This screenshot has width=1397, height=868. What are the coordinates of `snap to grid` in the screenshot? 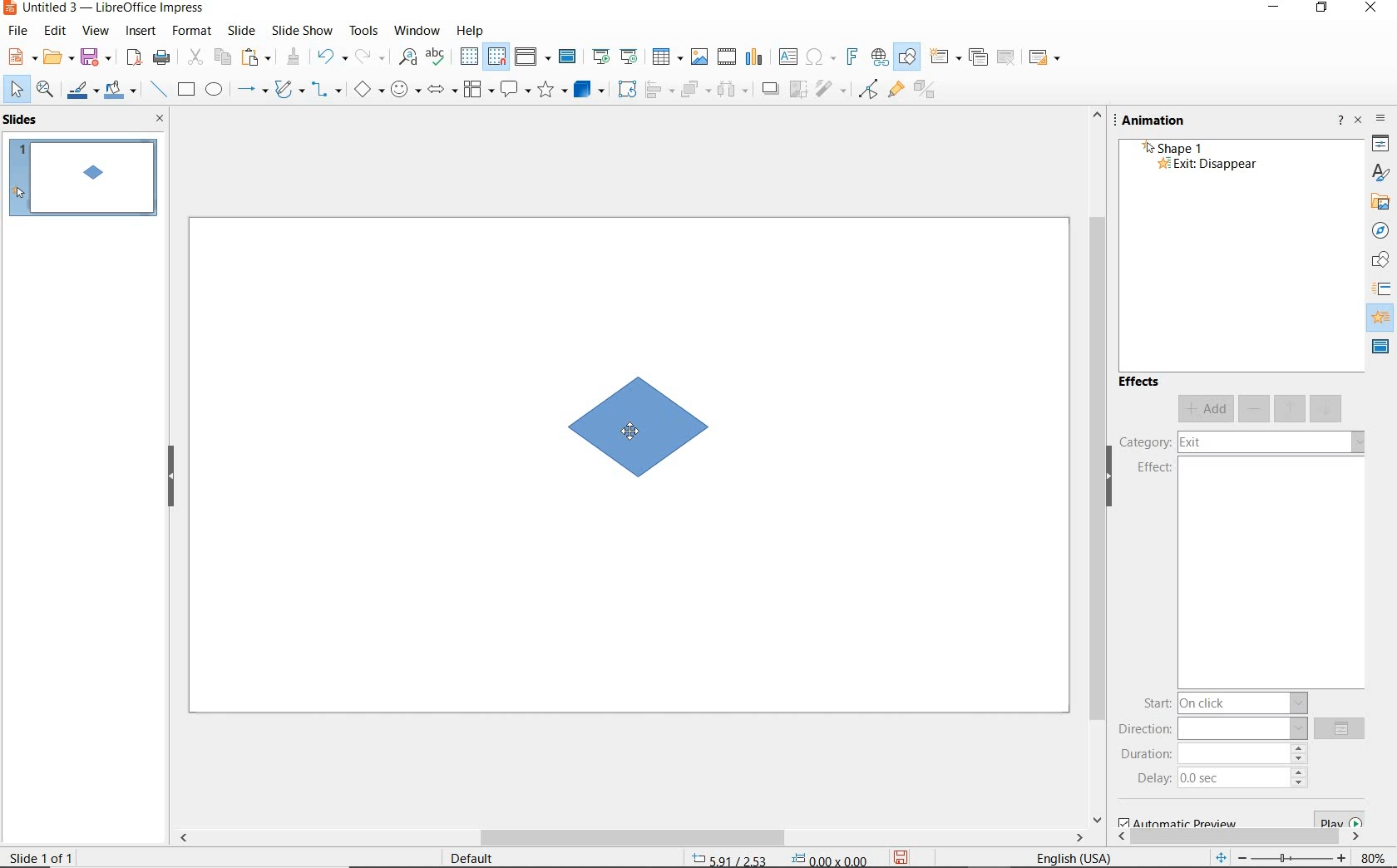 It's located at (497, 57).